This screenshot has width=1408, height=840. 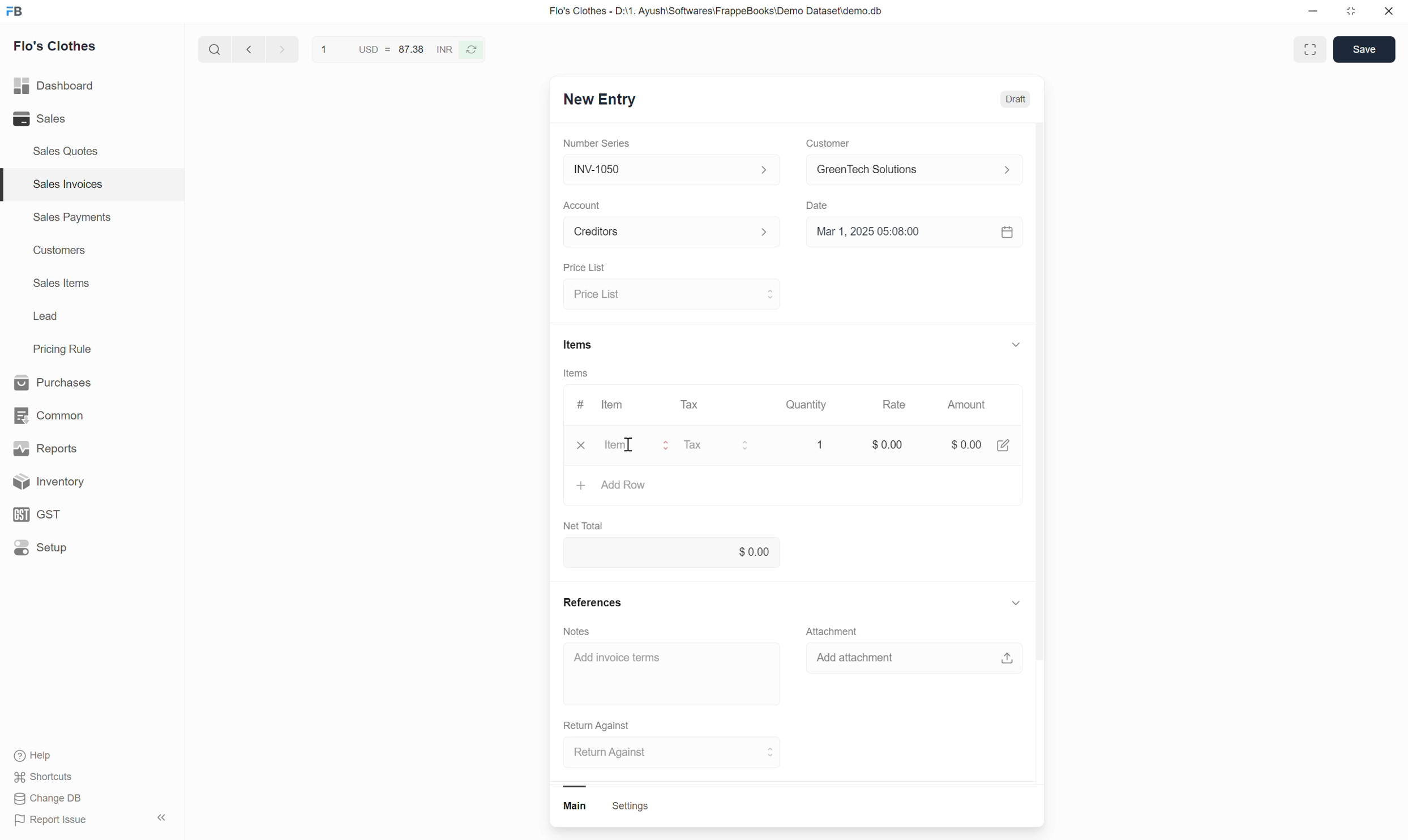 What do you see at coordinates (827, 144) in the screenshot?
I see `Customer` at bounding box center [827, 144].